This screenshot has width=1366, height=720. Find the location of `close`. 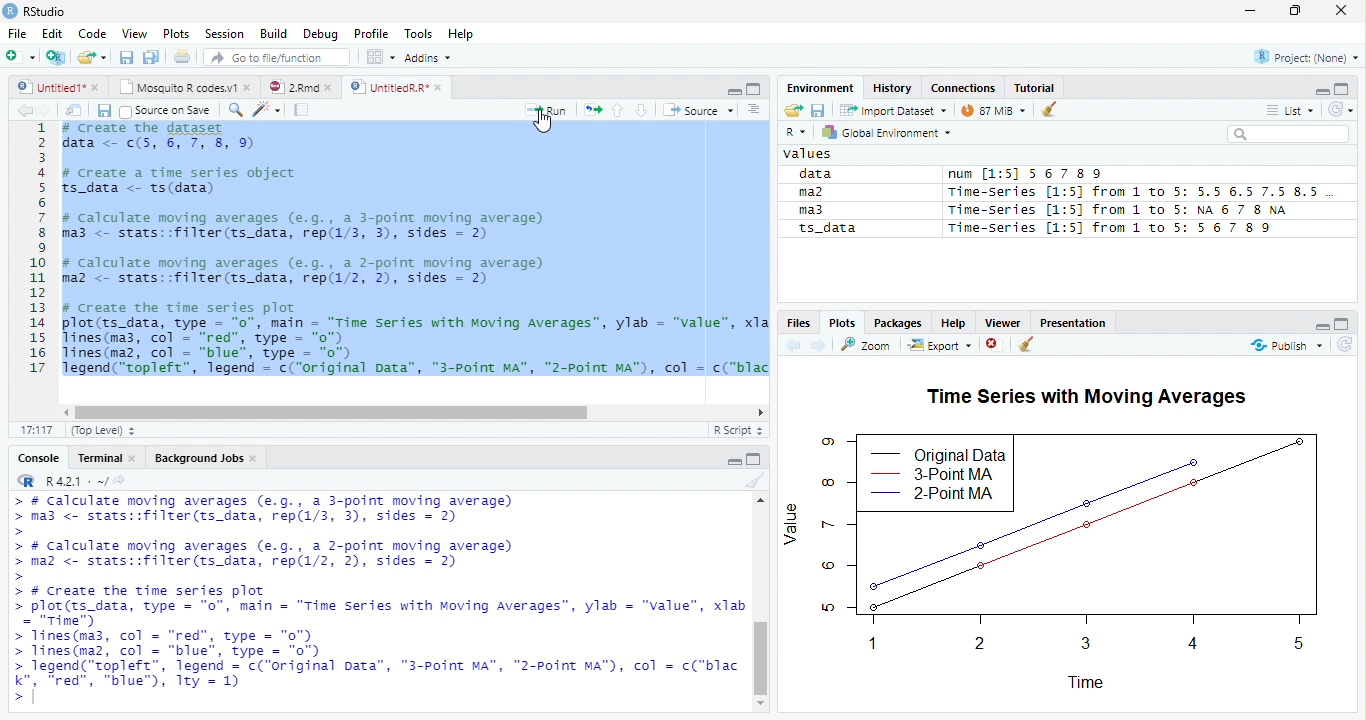

close is located at coordinates (250, 86).